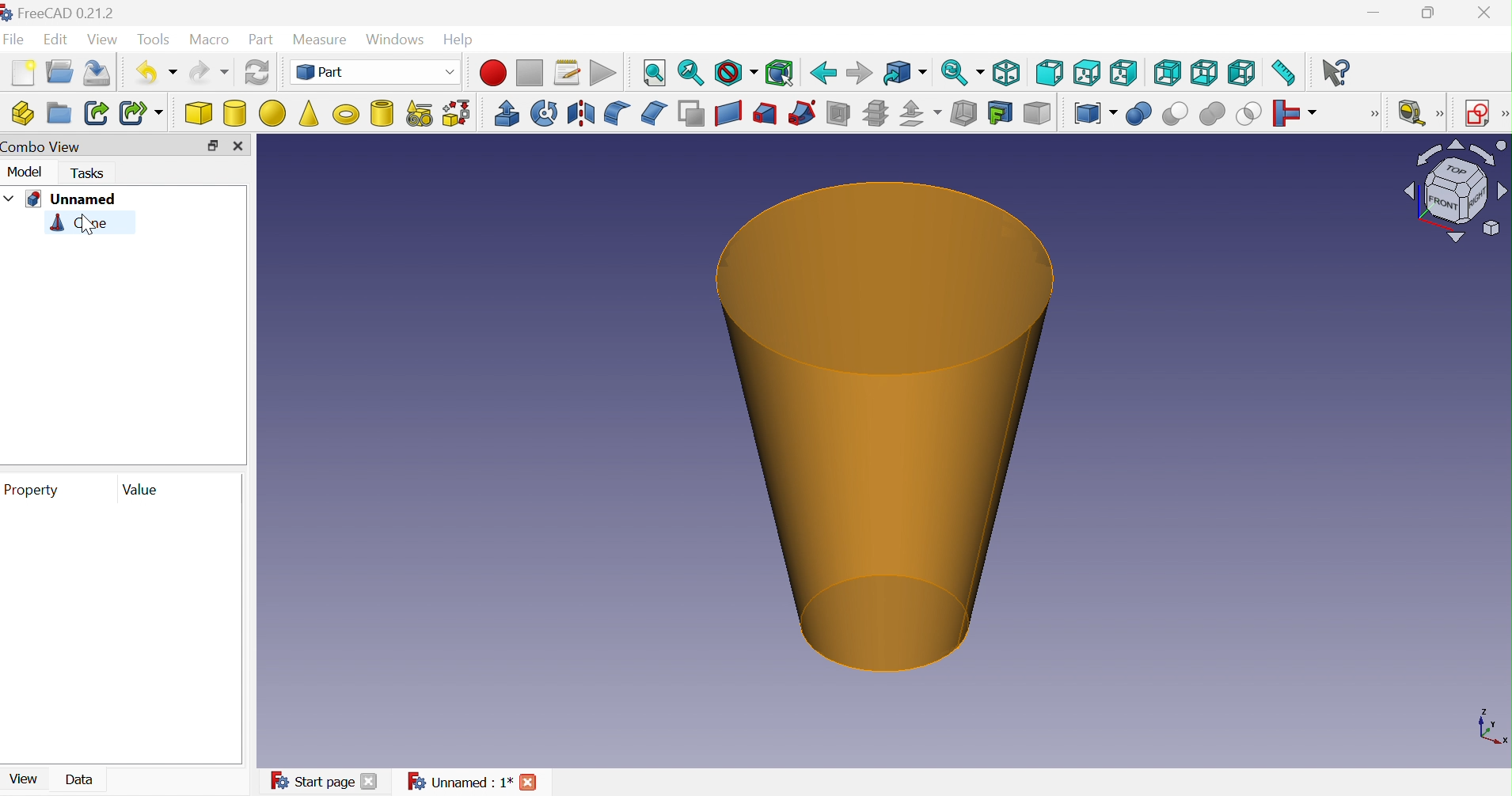 The height and width of the screenshot is (796, 1512). What do you see at coordinates (962, 72) in the screenshot?
I see `Sync view` at bounding box center [962, 72].